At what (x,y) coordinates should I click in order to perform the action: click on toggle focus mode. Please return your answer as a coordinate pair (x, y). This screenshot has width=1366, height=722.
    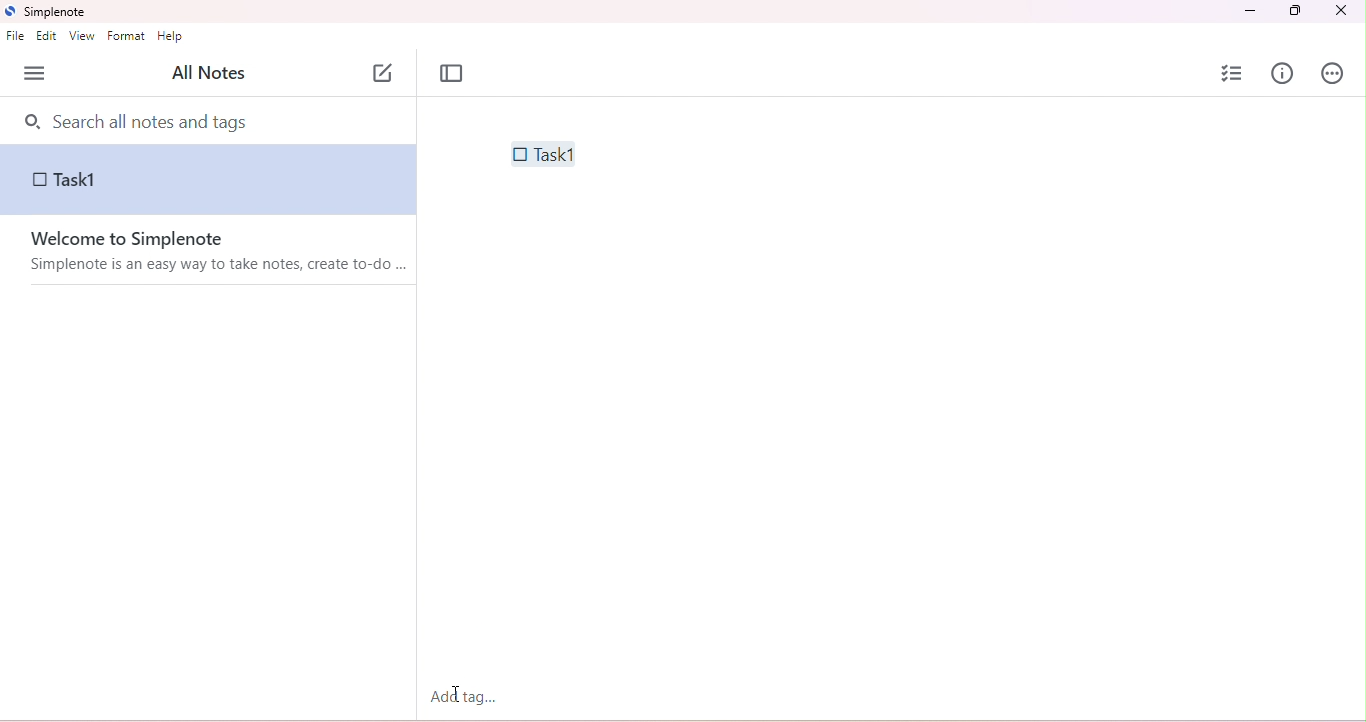
    Looking at the image, I should click on (452, 74).